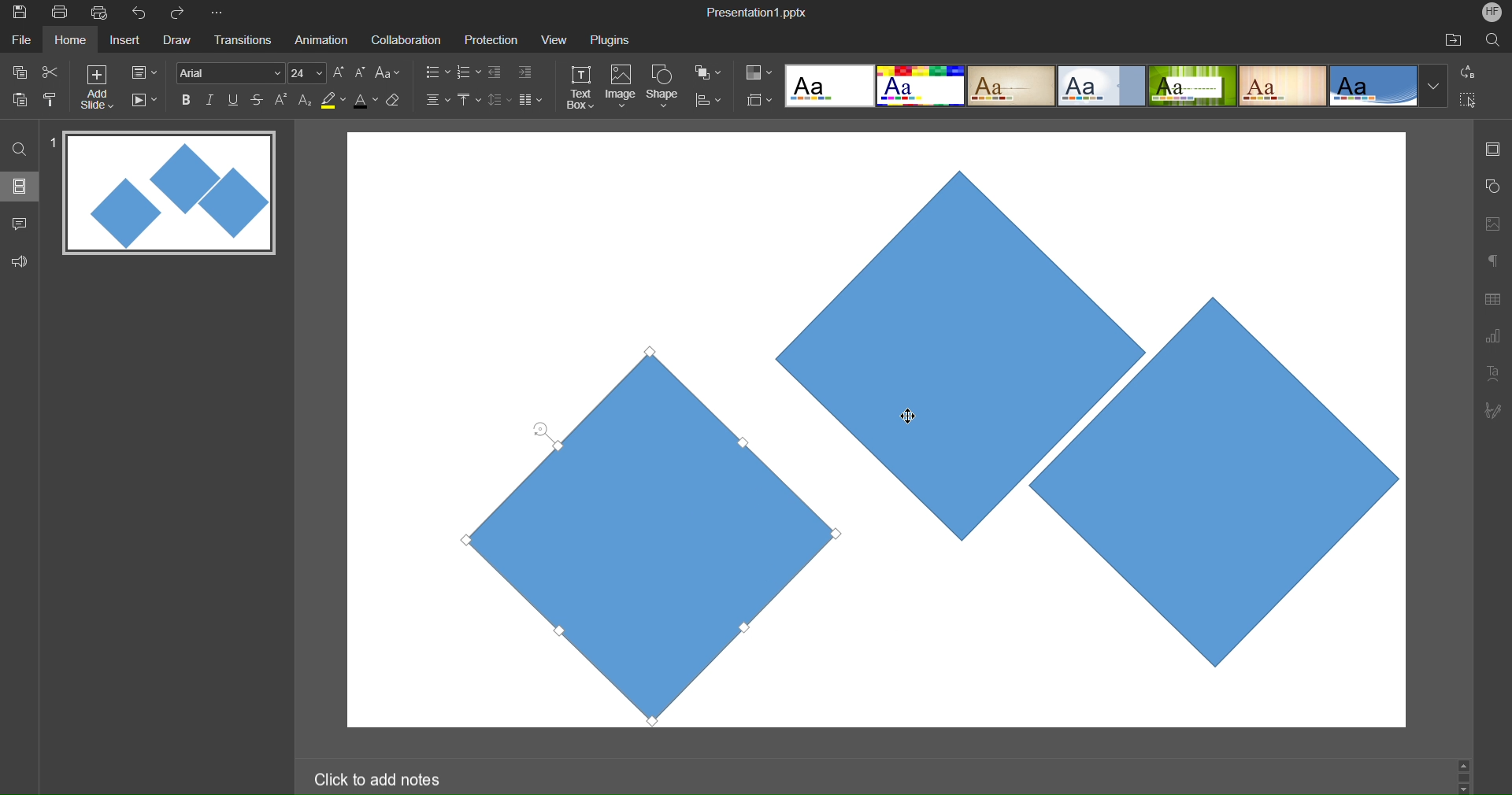  What do you see at coordinates (143, 101) in the screenshot?
I see `Playback` at bounding box center [143, 101].